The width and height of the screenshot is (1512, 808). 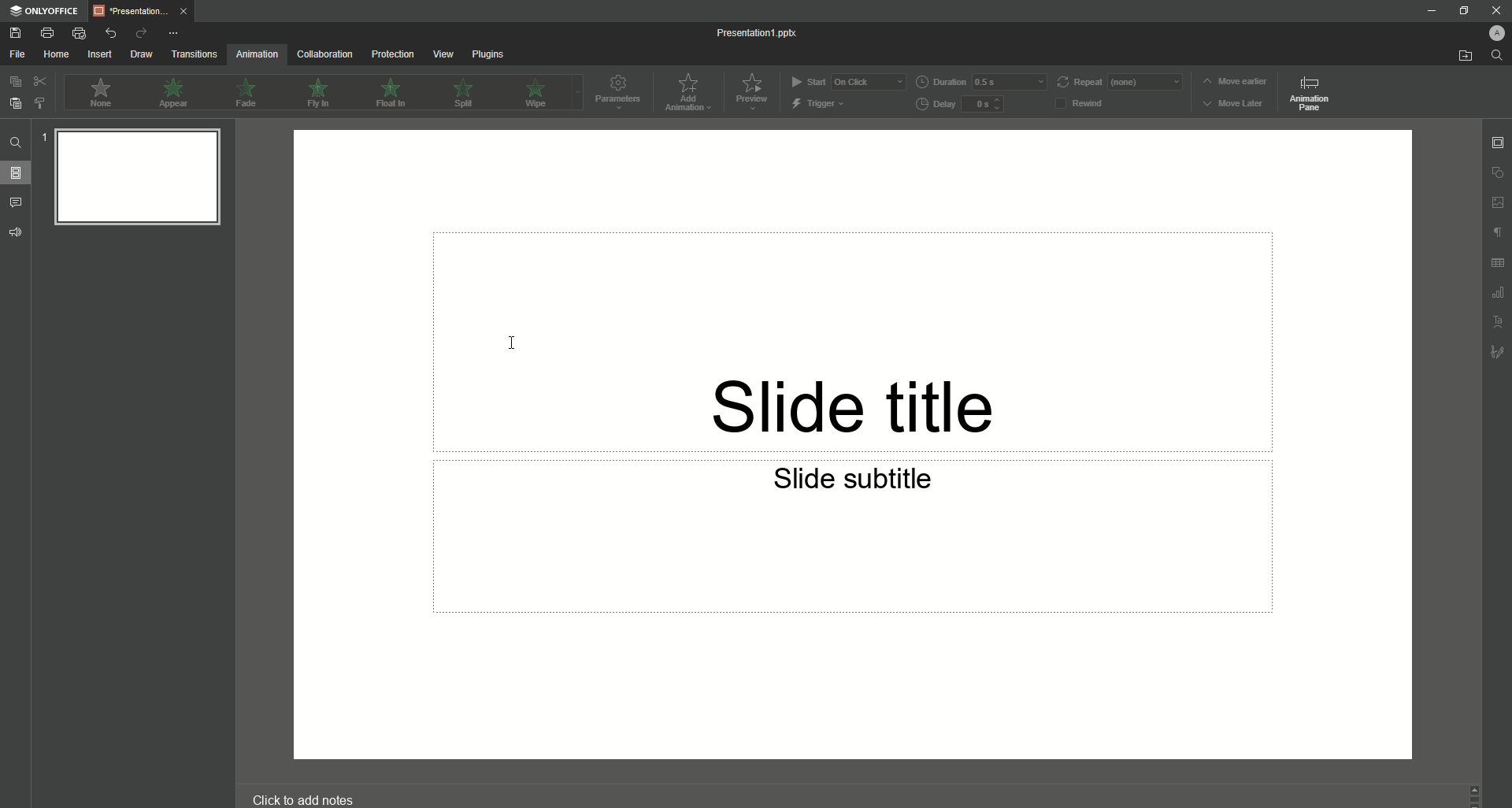 What do you see at coordinates (137, 33) in the screenshot?
I see `Redo` at bounding box center [137, 33].